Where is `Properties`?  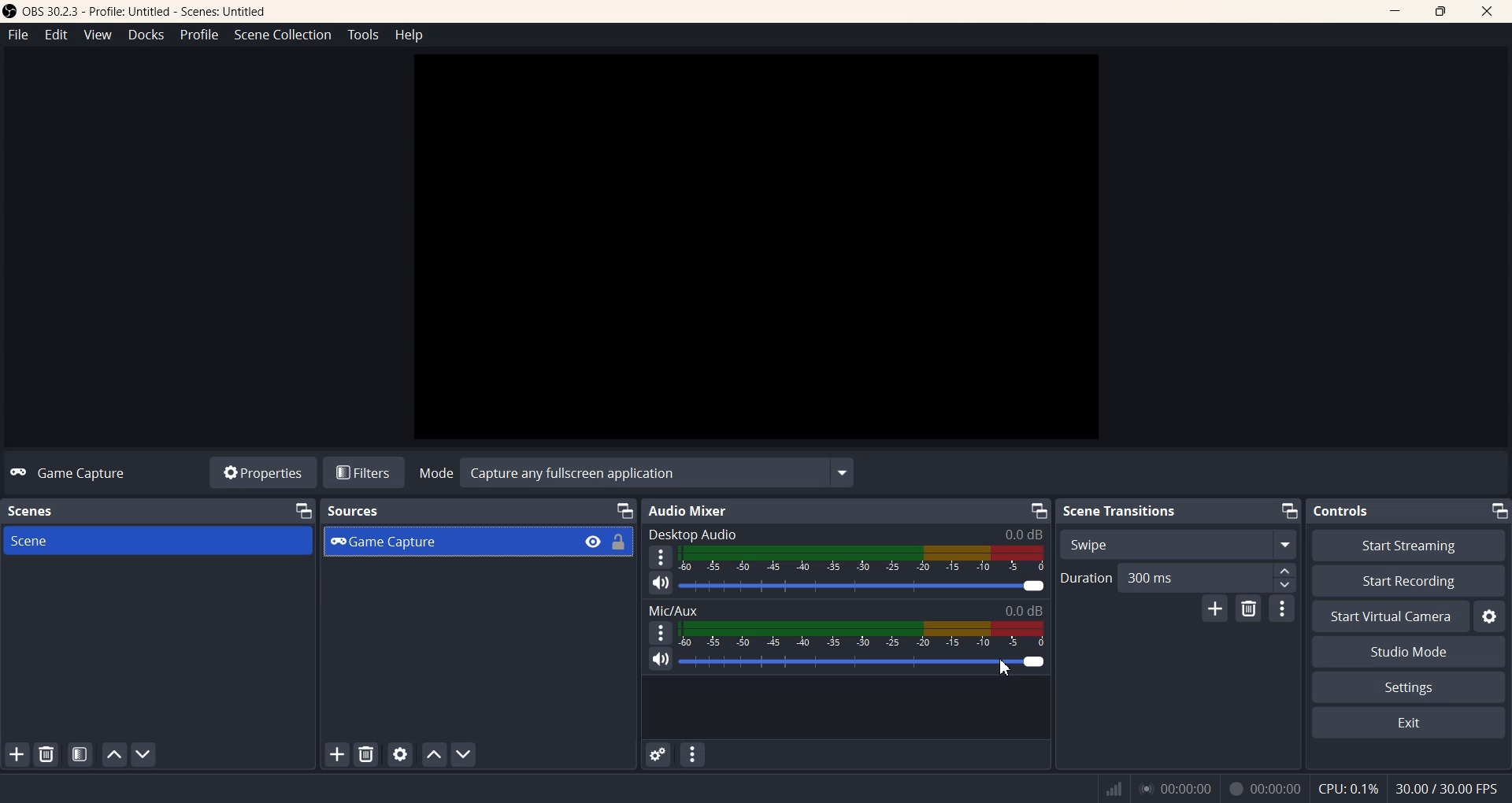
Properties is located at coordinates (262, 472).